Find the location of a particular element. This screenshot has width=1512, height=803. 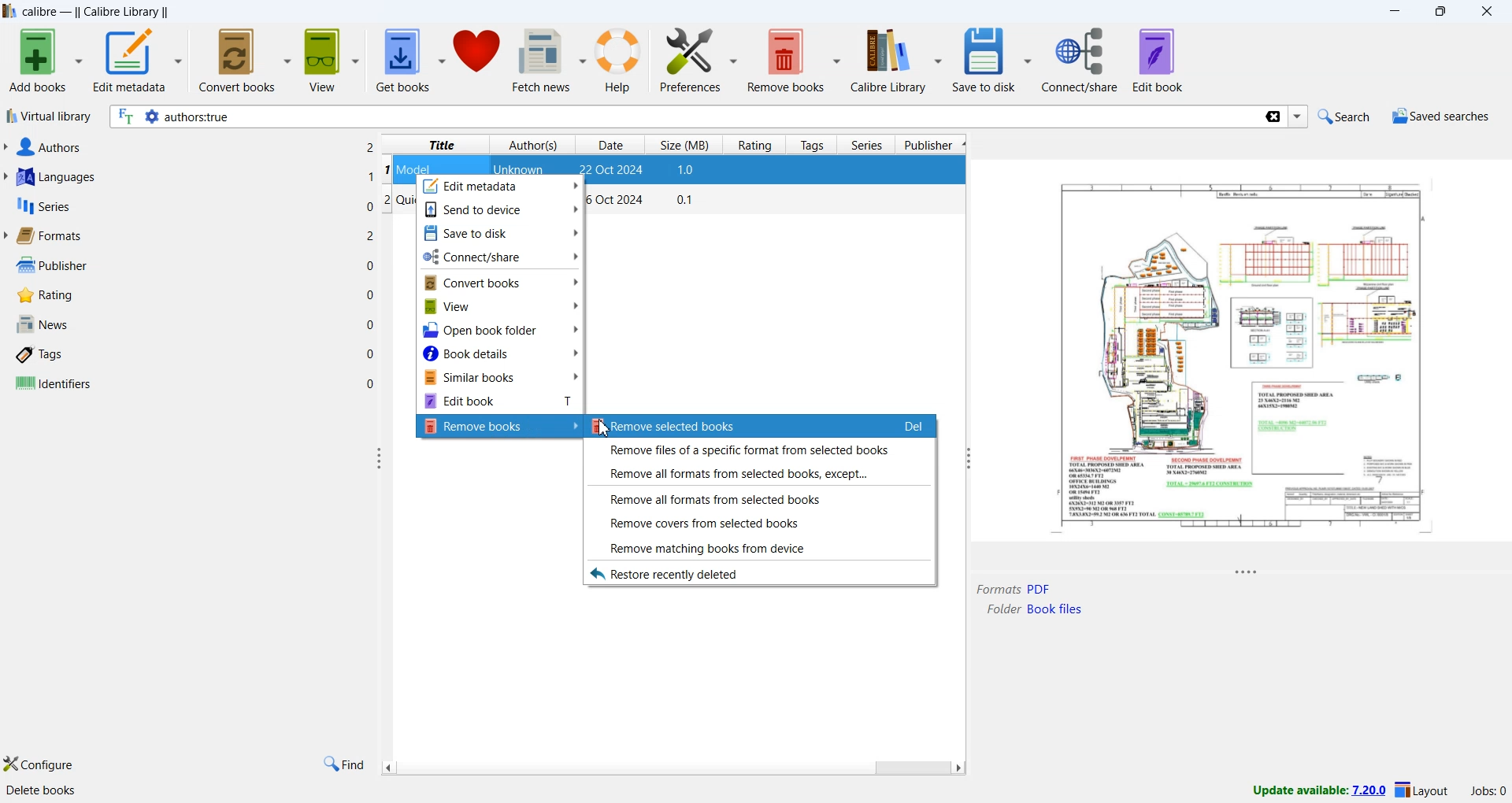

series is located at coordinates (867, 146).